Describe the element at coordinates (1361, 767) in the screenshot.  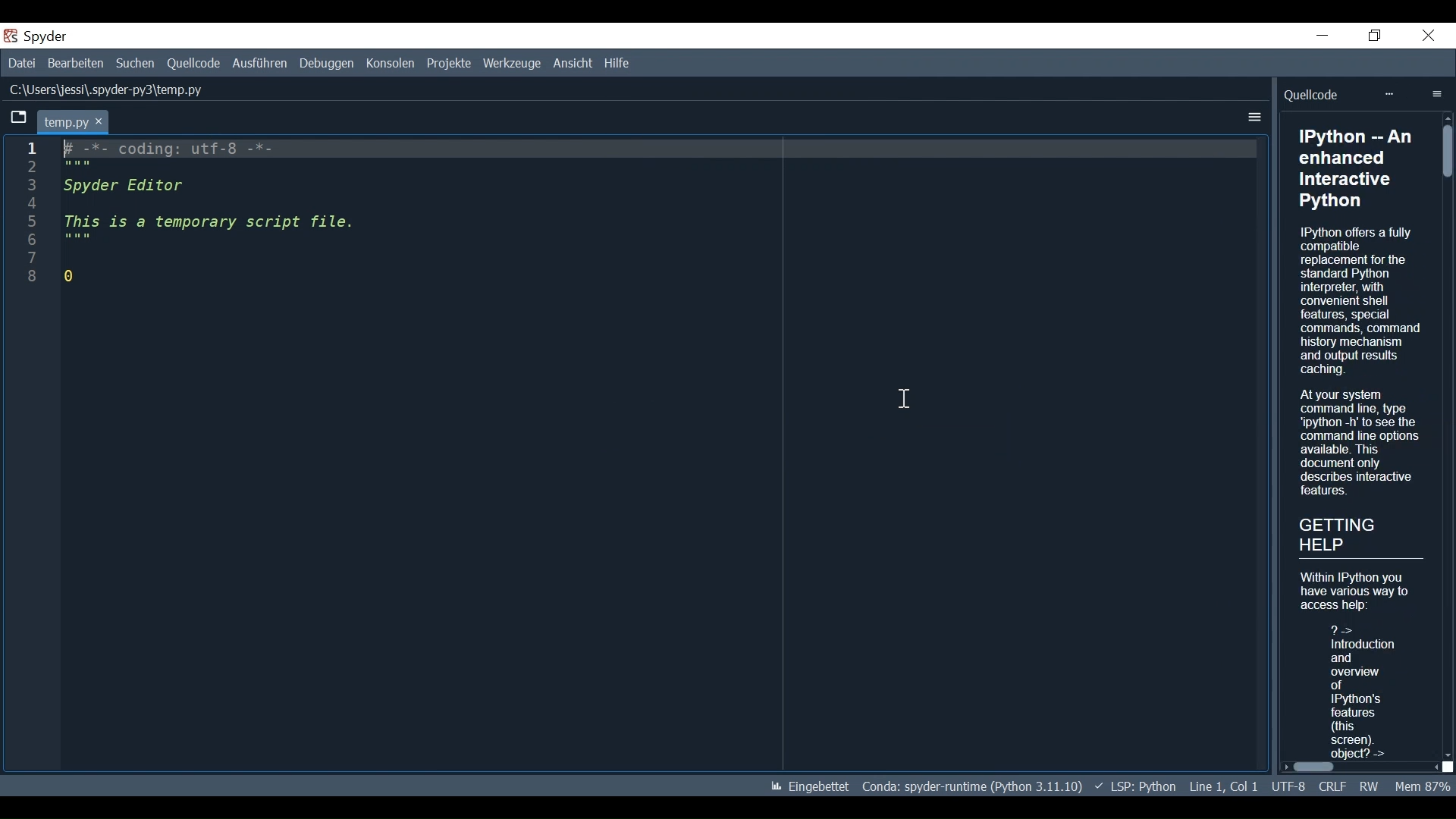
I see `Horizontal Scroll bar` at that location.